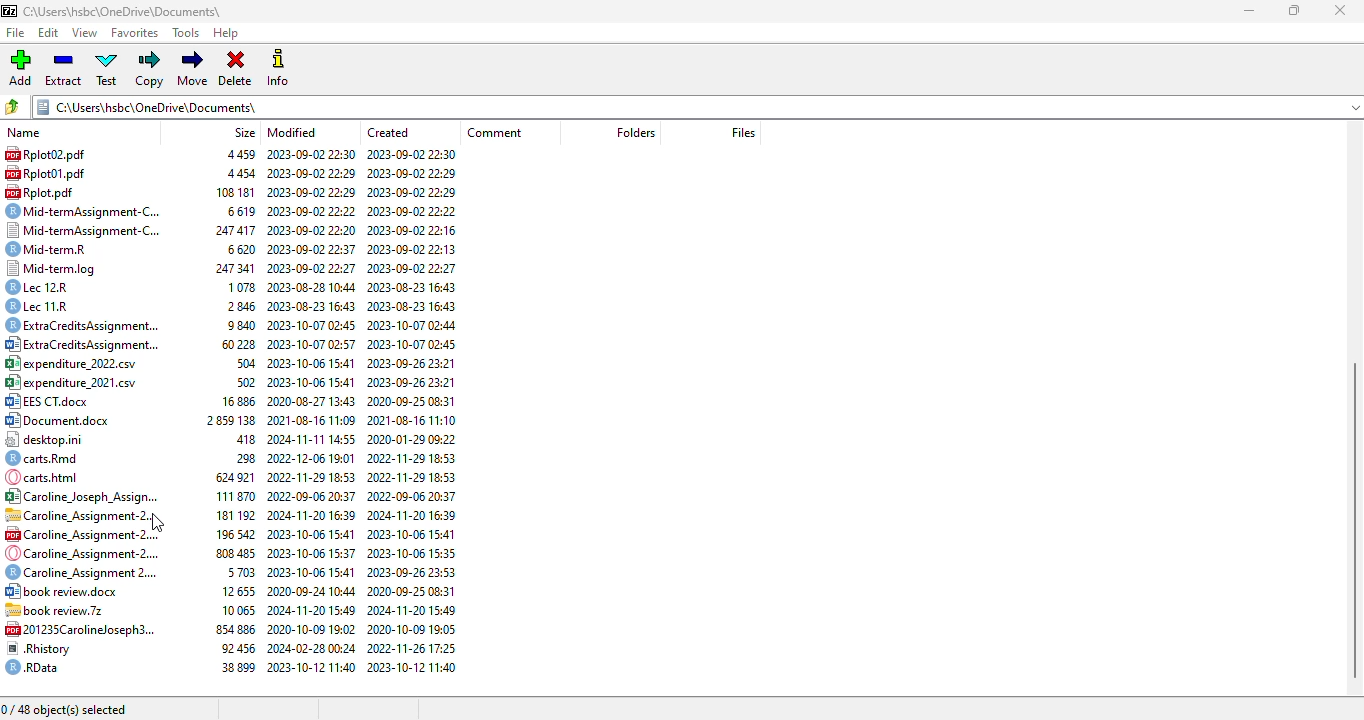  I want to click on 6619, so click(241, 210).